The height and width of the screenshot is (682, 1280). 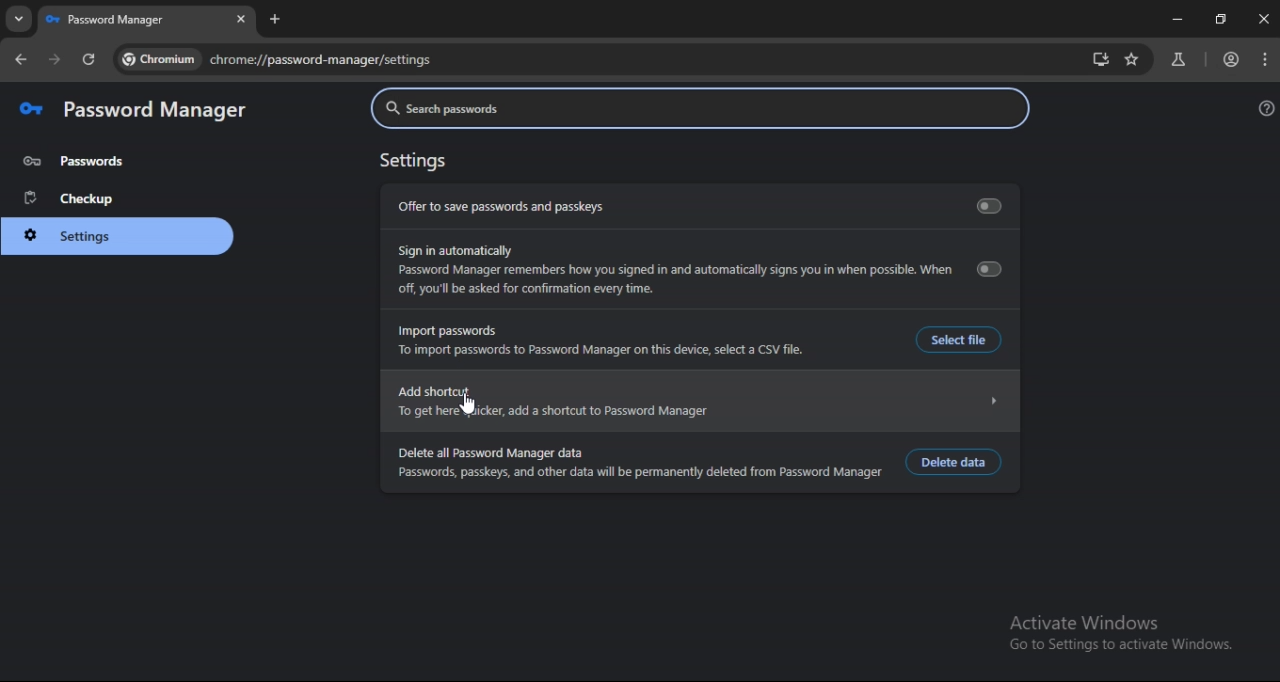 I want to click on checkup, so click(x=72, y=199).